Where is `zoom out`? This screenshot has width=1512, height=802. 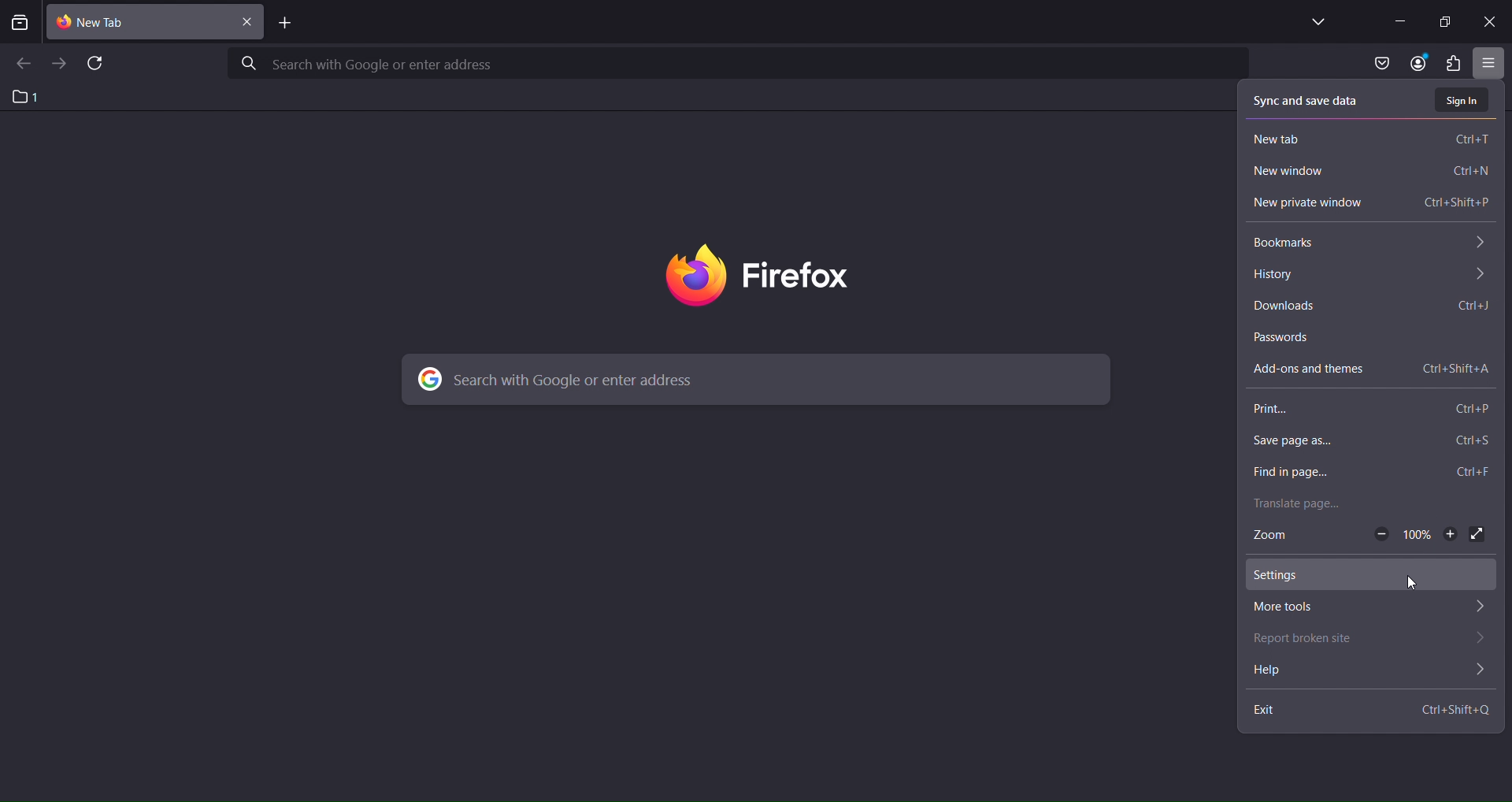
zoom out is located at coordinates (1377, 533).